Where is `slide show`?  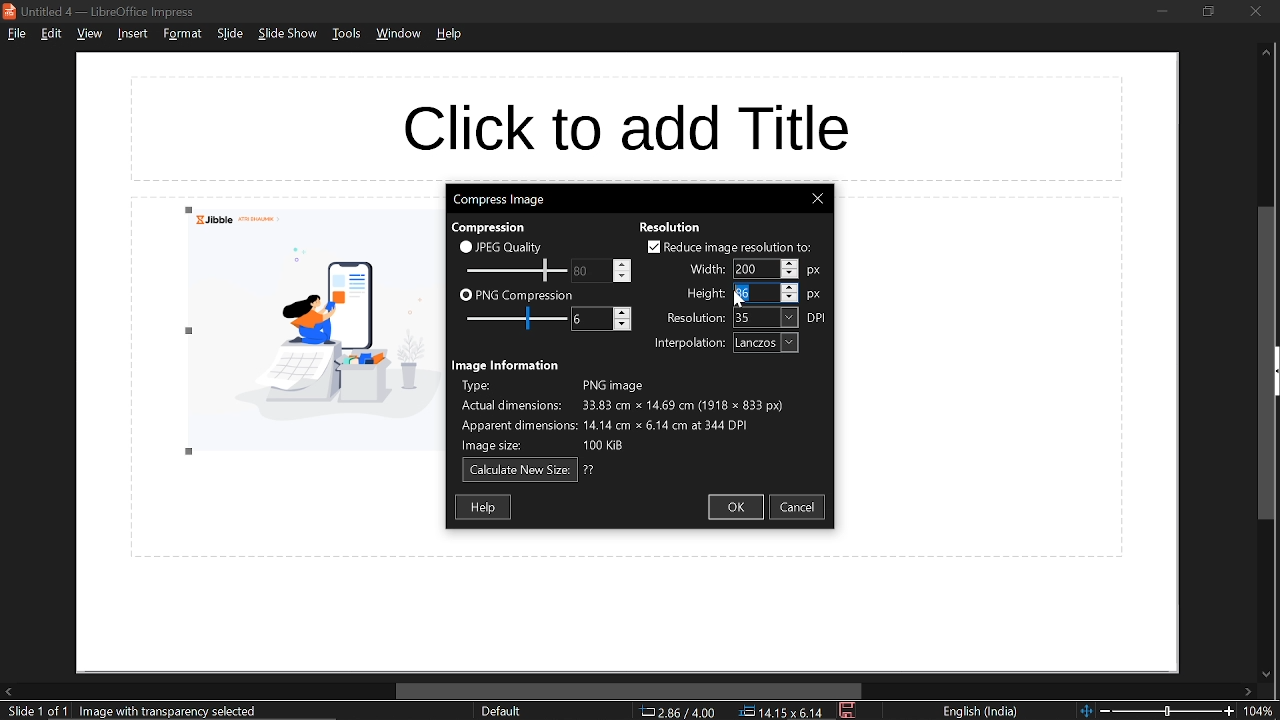
slide show is located at coordinates (288, 34).